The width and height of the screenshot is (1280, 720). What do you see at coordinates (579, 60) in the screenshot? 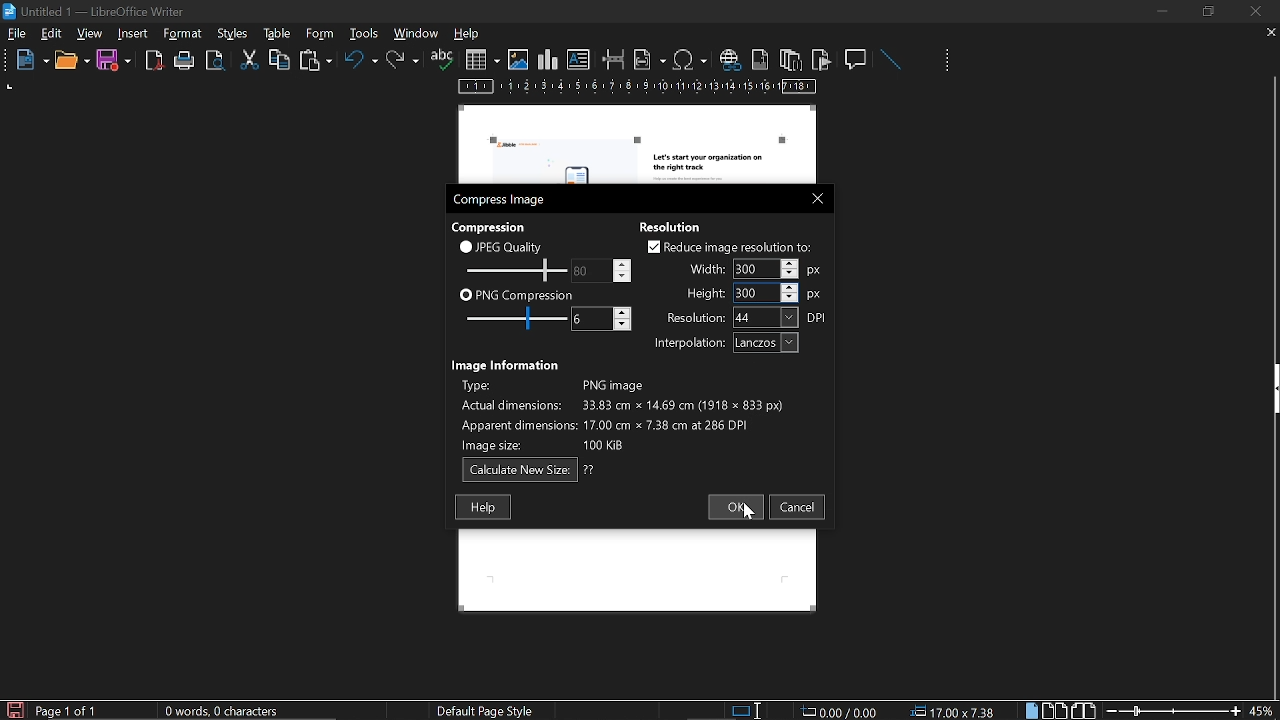
I see `insert text` at bounding box center [579, 60].